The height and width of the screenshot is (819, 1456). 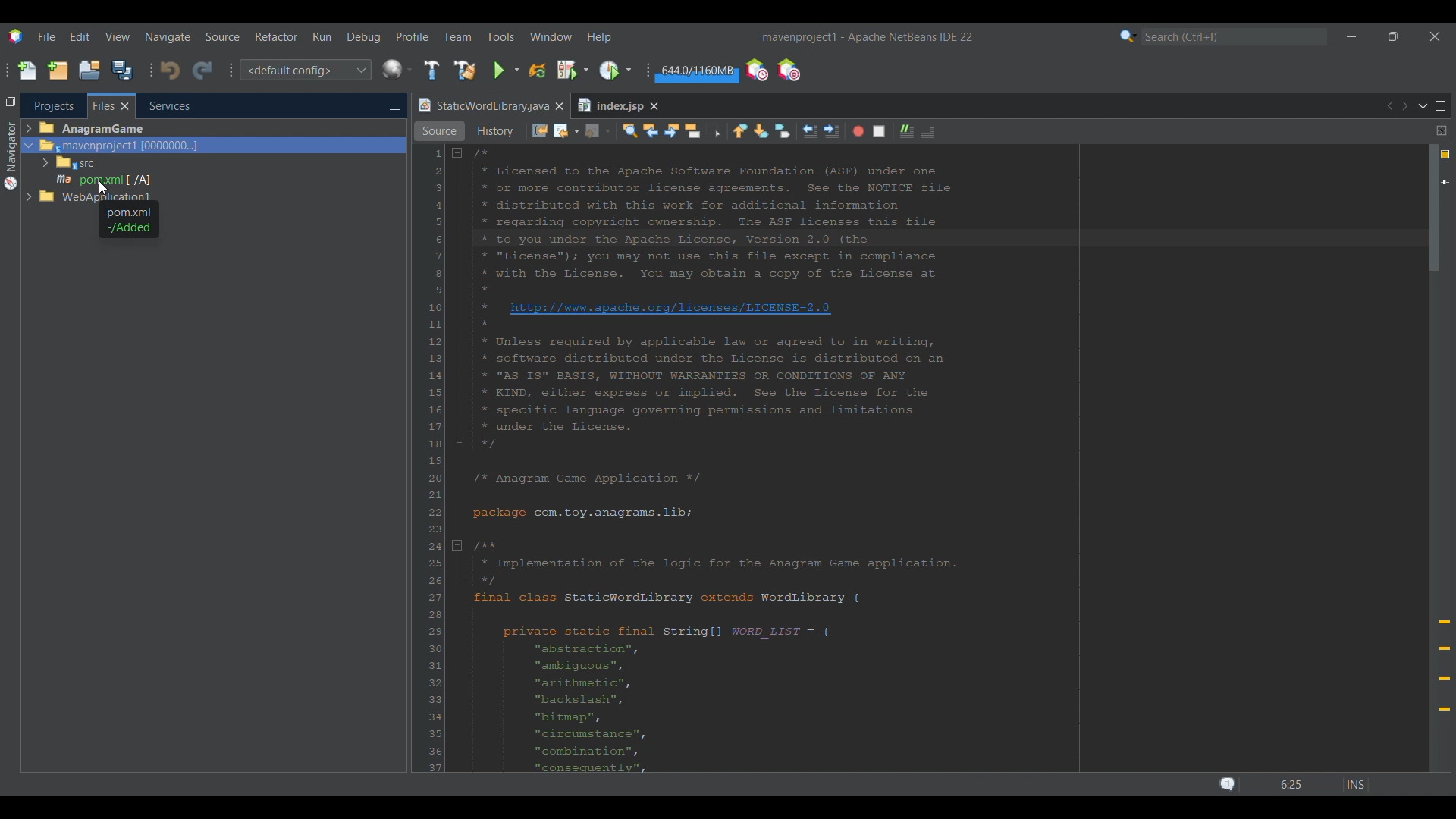 What do you see at coordinates (1436, 36) in the screenshot?
I see `Close interface` at bounding box center [1436, 36].